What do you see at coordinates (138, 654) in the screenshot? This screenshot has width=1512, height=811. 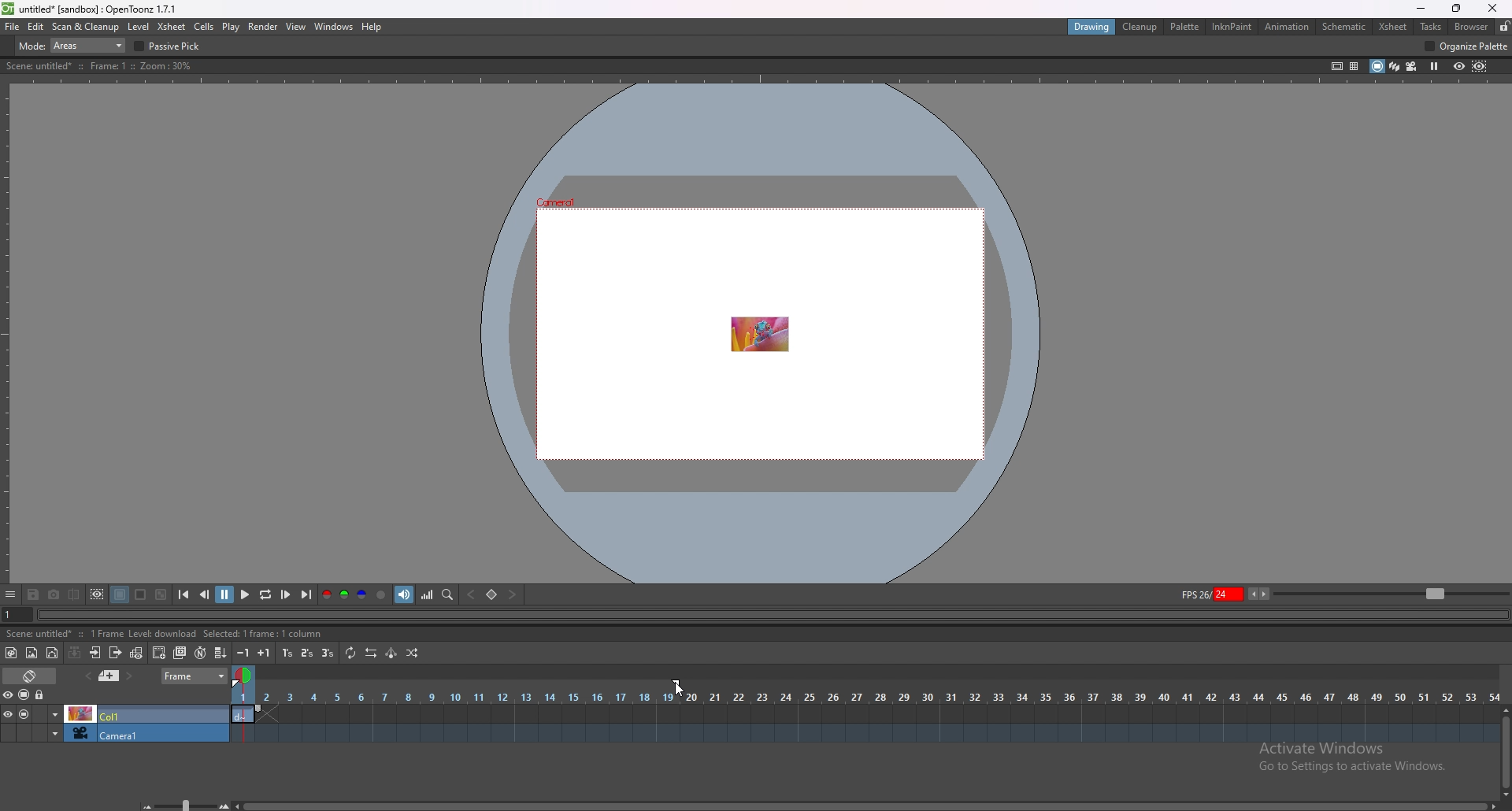 I see `toggle edit in place` at bounding box center [138, 654].